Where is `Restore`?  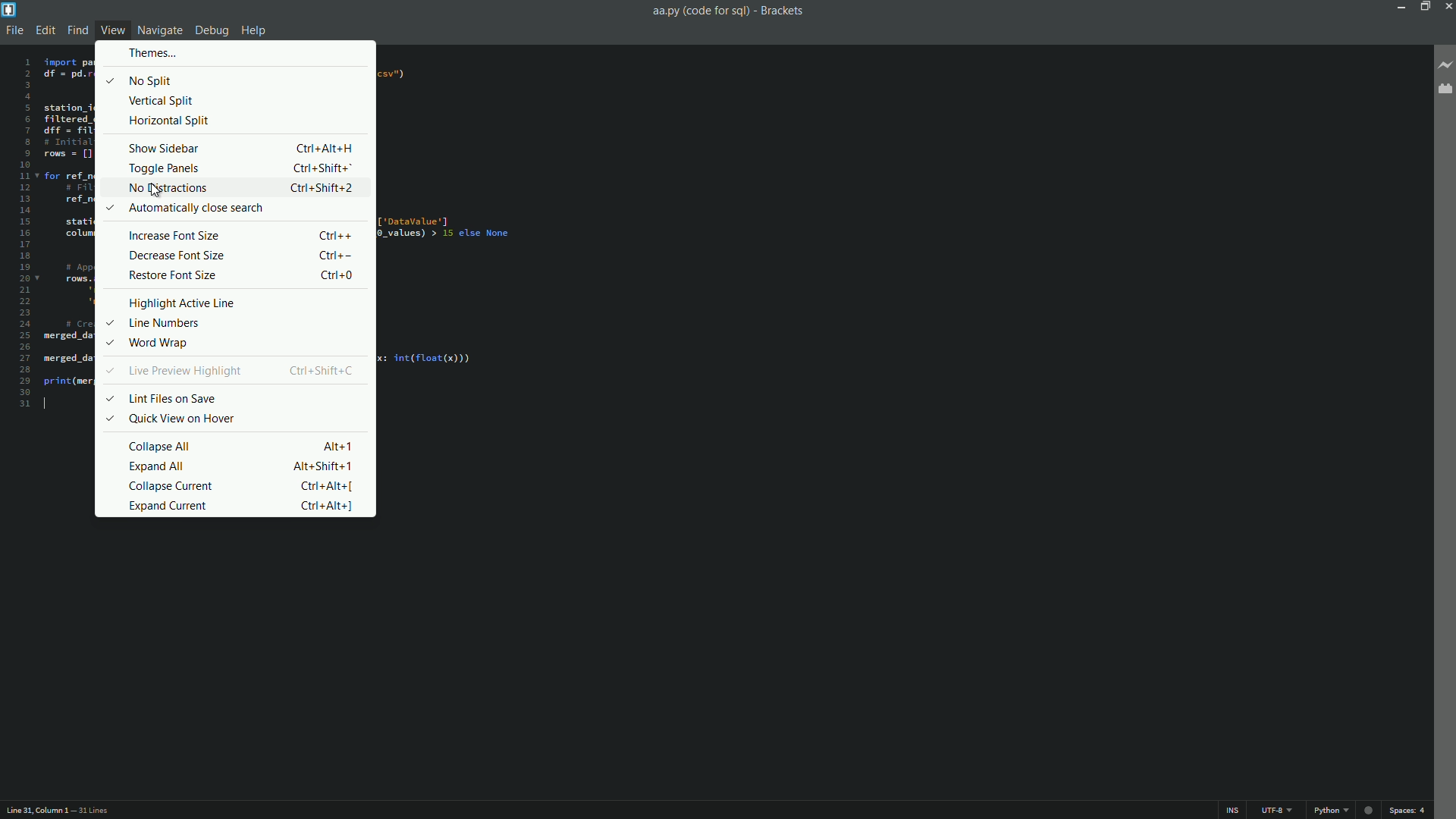 Restore is located at coordinates (1426, 6).